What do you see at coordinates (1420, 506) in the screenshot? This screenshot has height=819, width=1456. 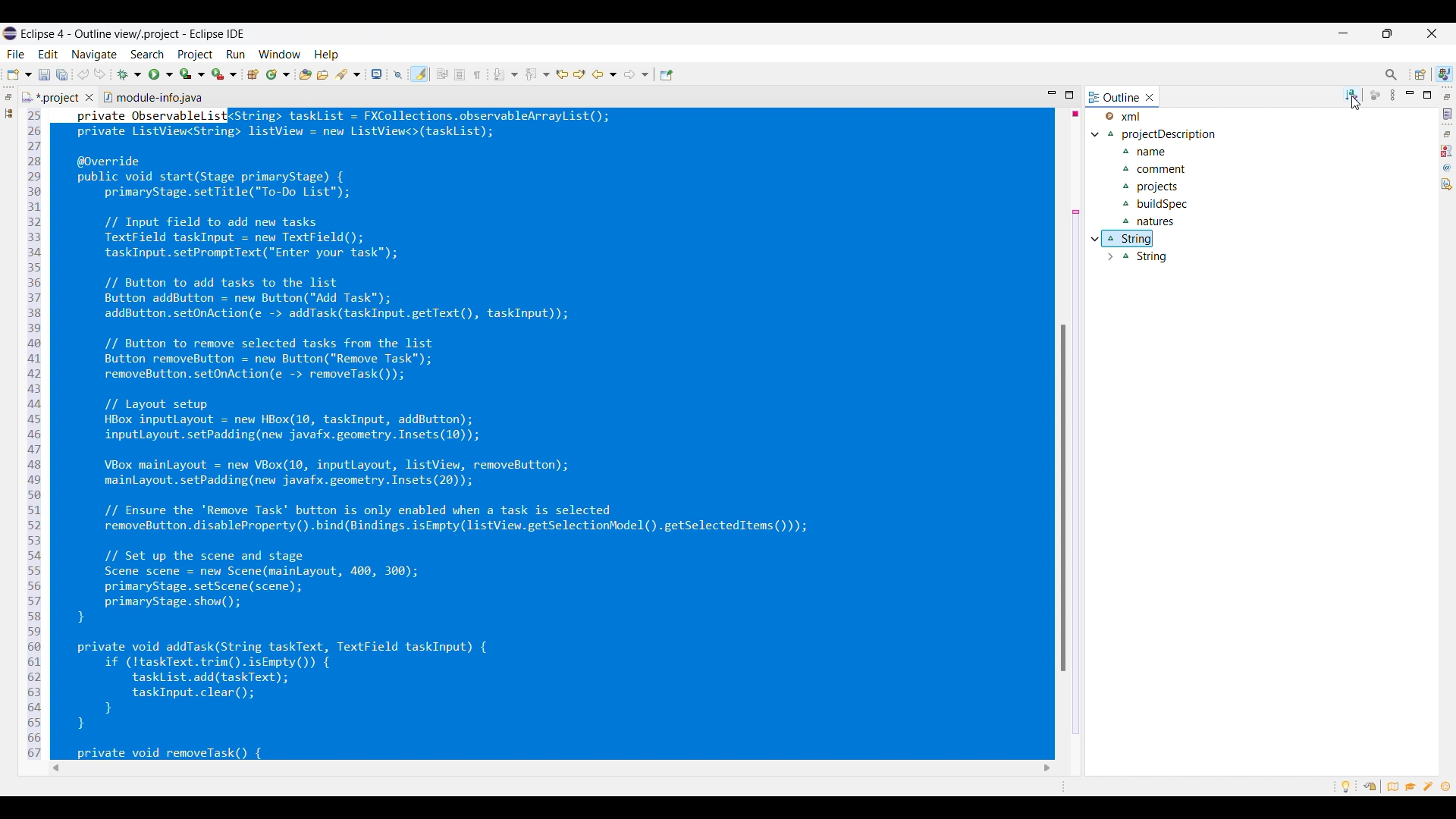 I see `Vertical slide bar` at bounding box center [1420, 506].